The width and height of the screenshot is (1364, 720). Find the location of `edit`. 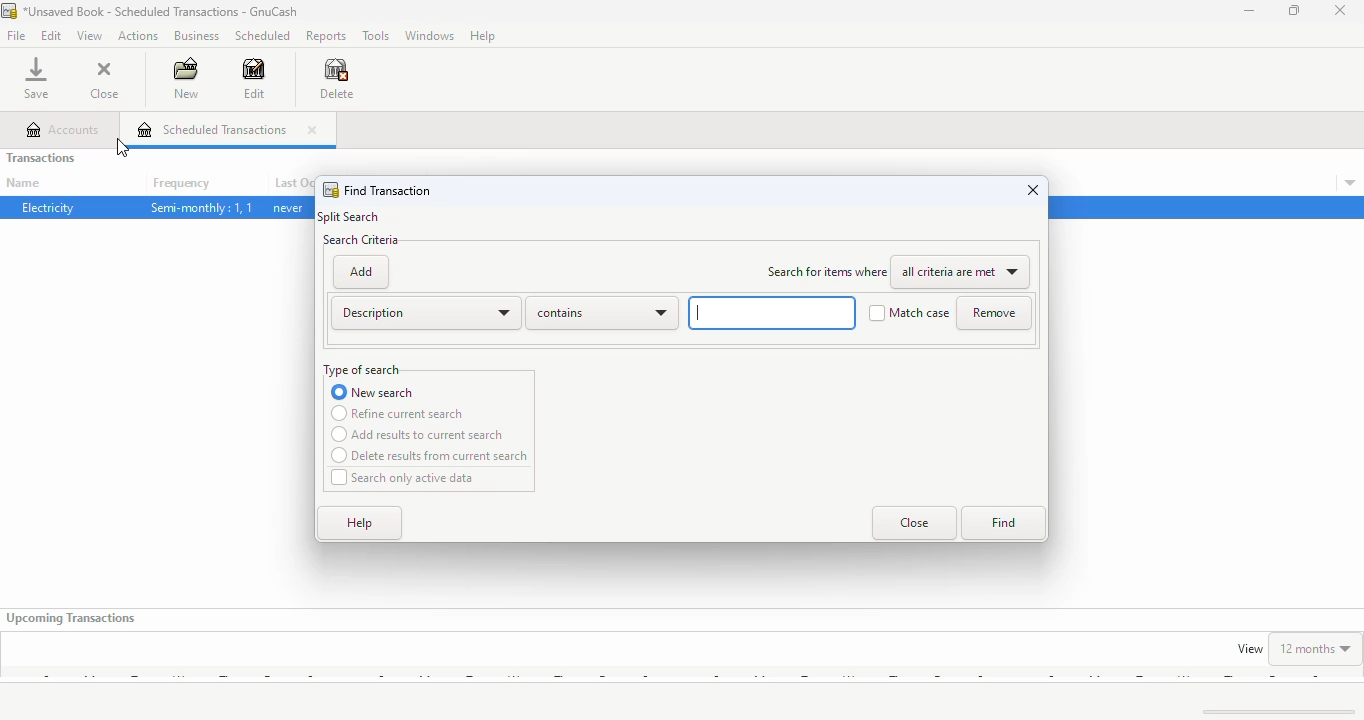

edit is located at coordinates (254, 78).